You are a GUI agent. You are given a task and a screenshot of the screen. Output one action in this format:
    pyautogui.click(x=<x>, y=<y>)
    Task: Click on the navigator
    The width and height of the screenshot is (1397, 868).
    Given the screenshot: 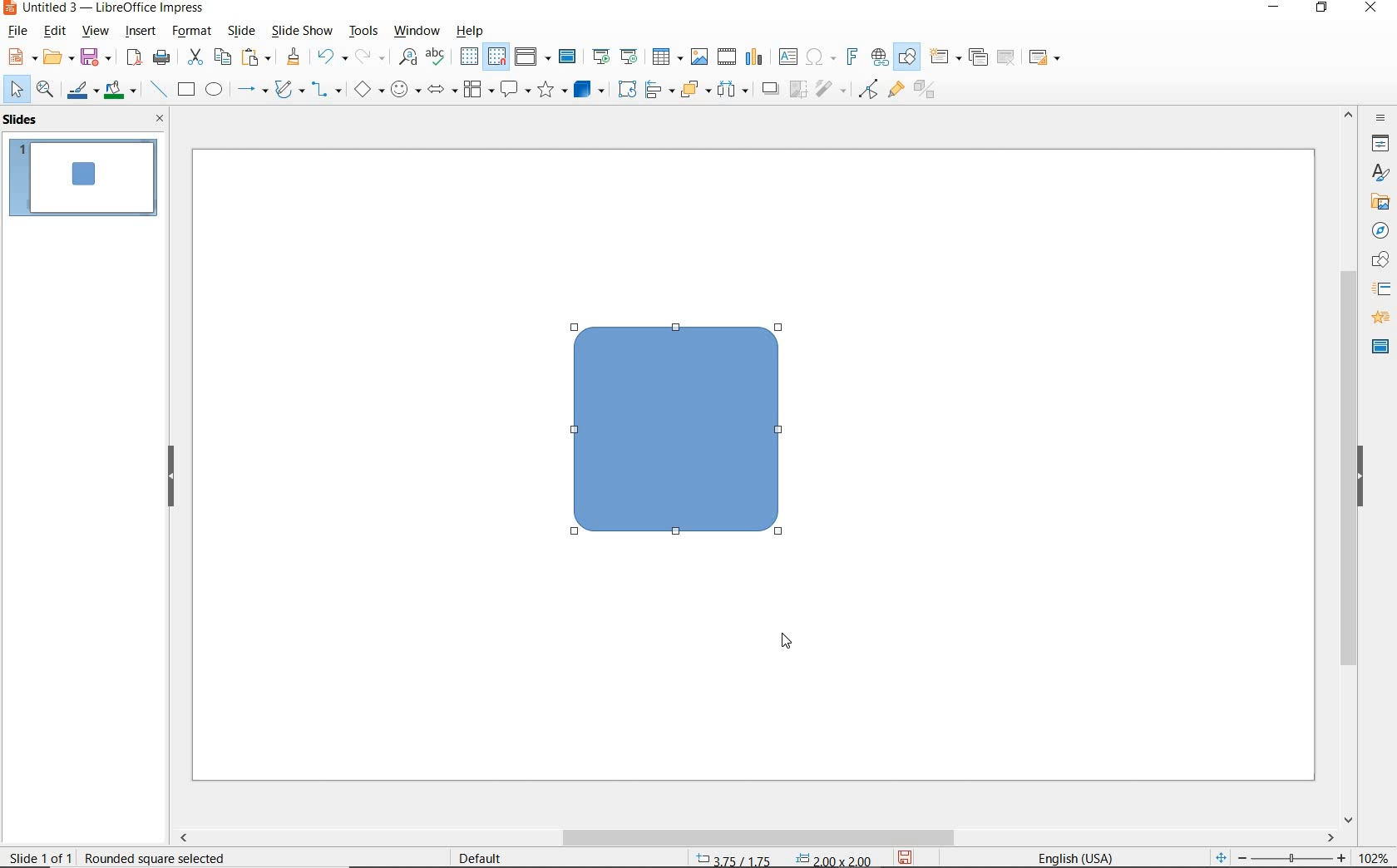 What is the action you would take?
    pyautogui.click(x=1377, y=230)
    